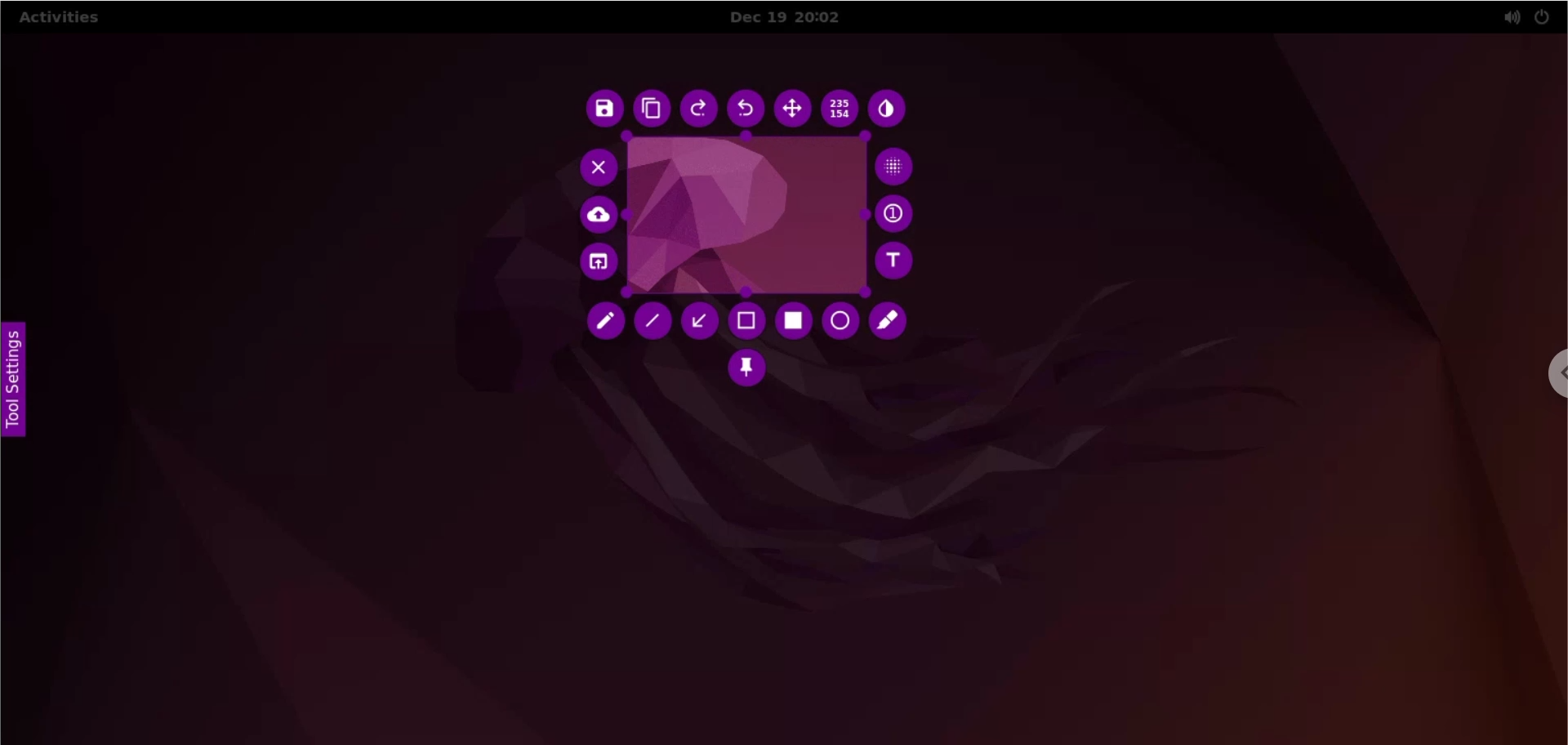 The width and height of the screenshot is (1568, 745). I want to click on undo, so click(751, 107).